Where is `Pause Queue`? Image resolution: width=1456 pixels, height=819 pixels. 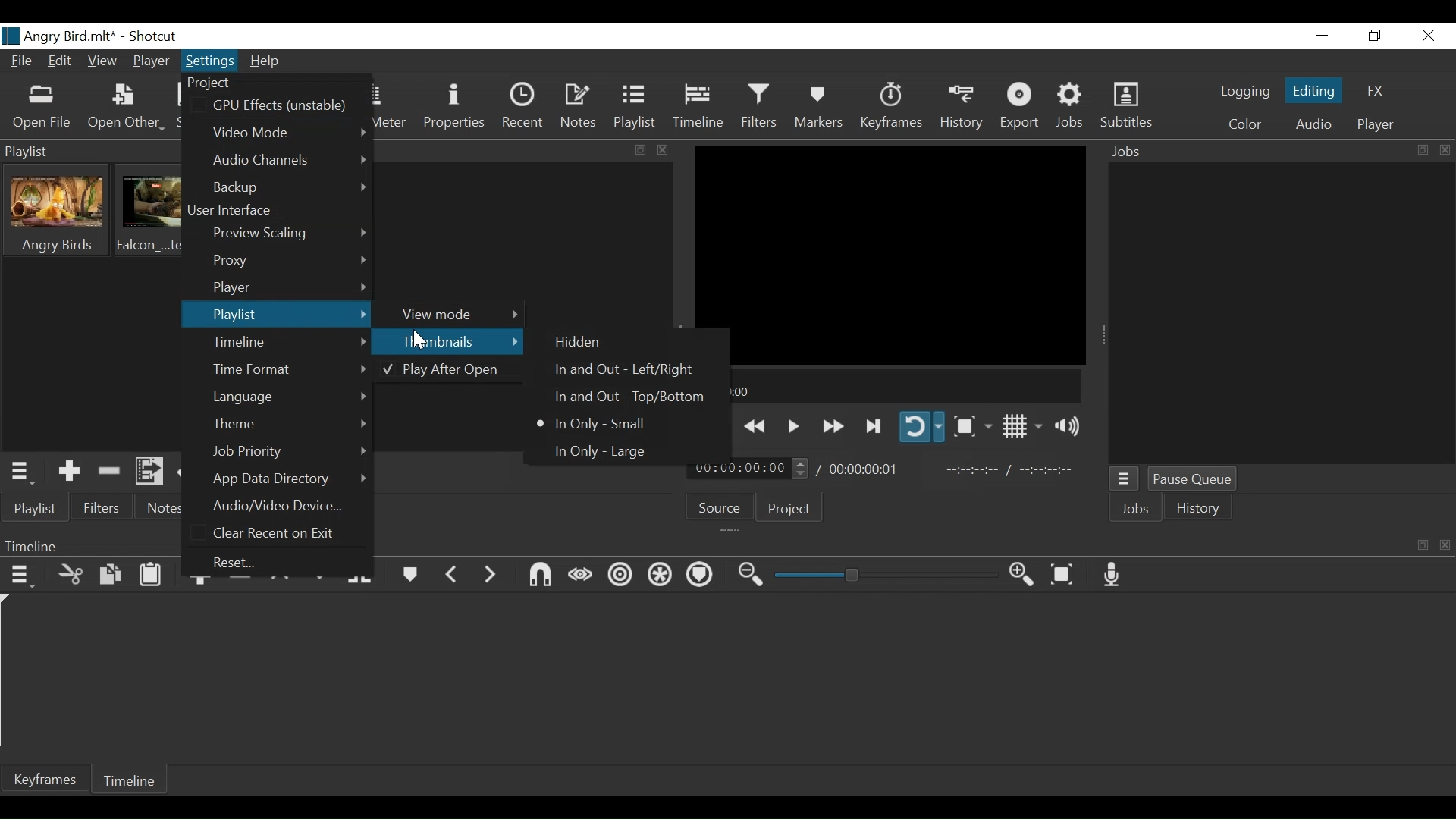 Pause Queue is located at coordinates (1194, 481).